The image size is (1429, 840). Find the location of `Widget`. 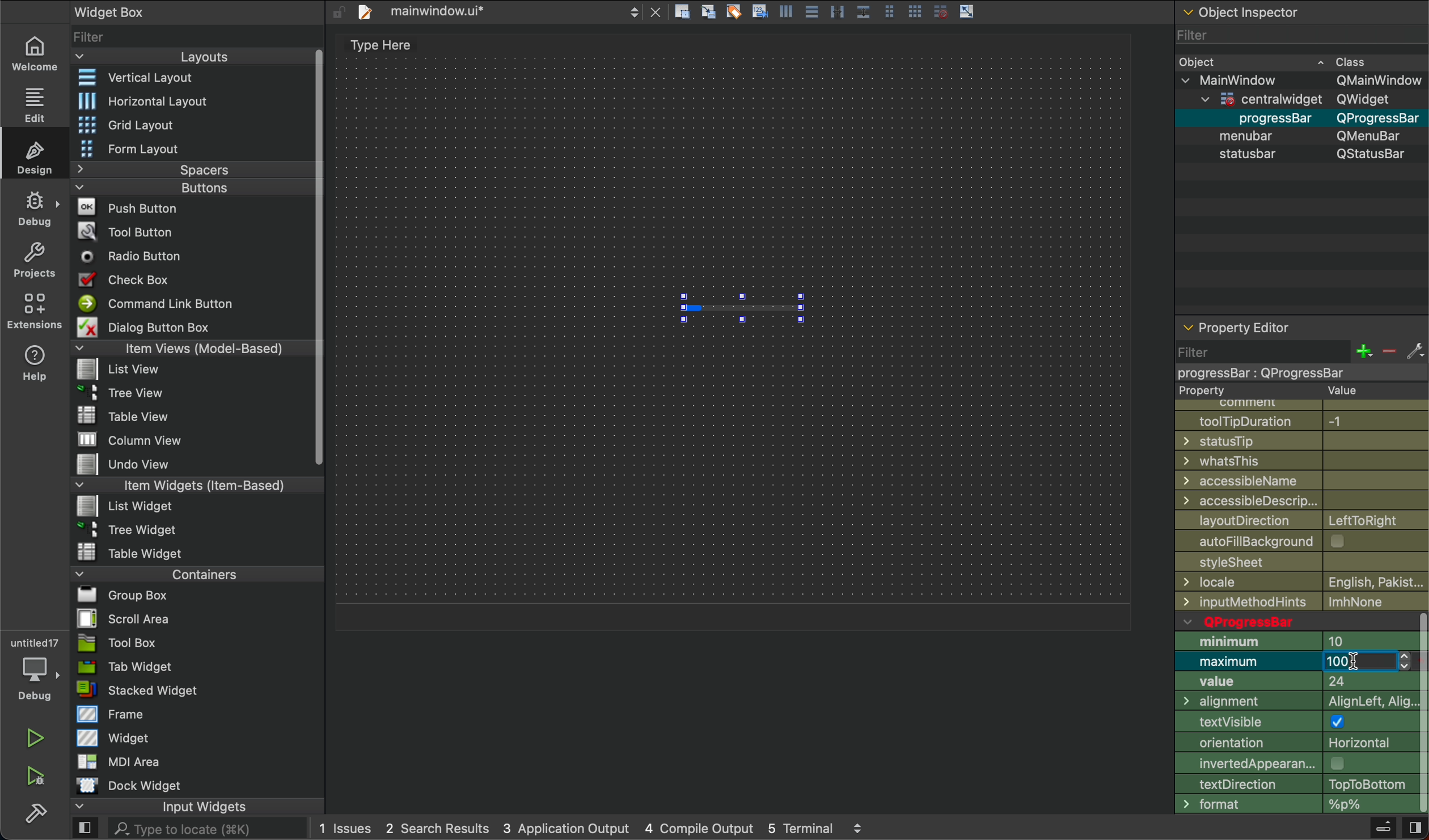

Widget is located at coordinates (116, 737).